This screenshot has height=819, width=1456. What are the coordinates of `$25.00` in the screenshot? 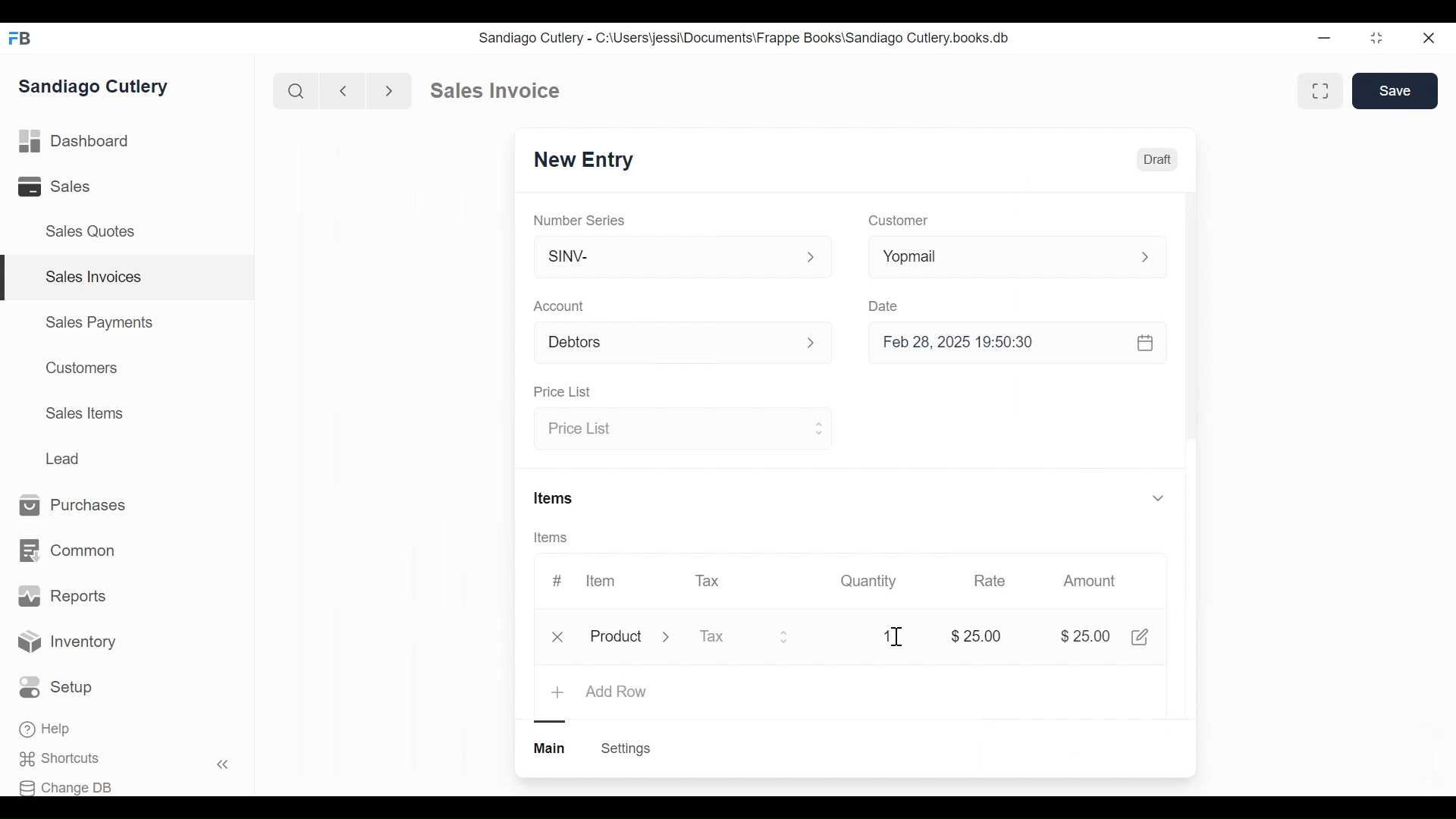 It's located at (980, 634).